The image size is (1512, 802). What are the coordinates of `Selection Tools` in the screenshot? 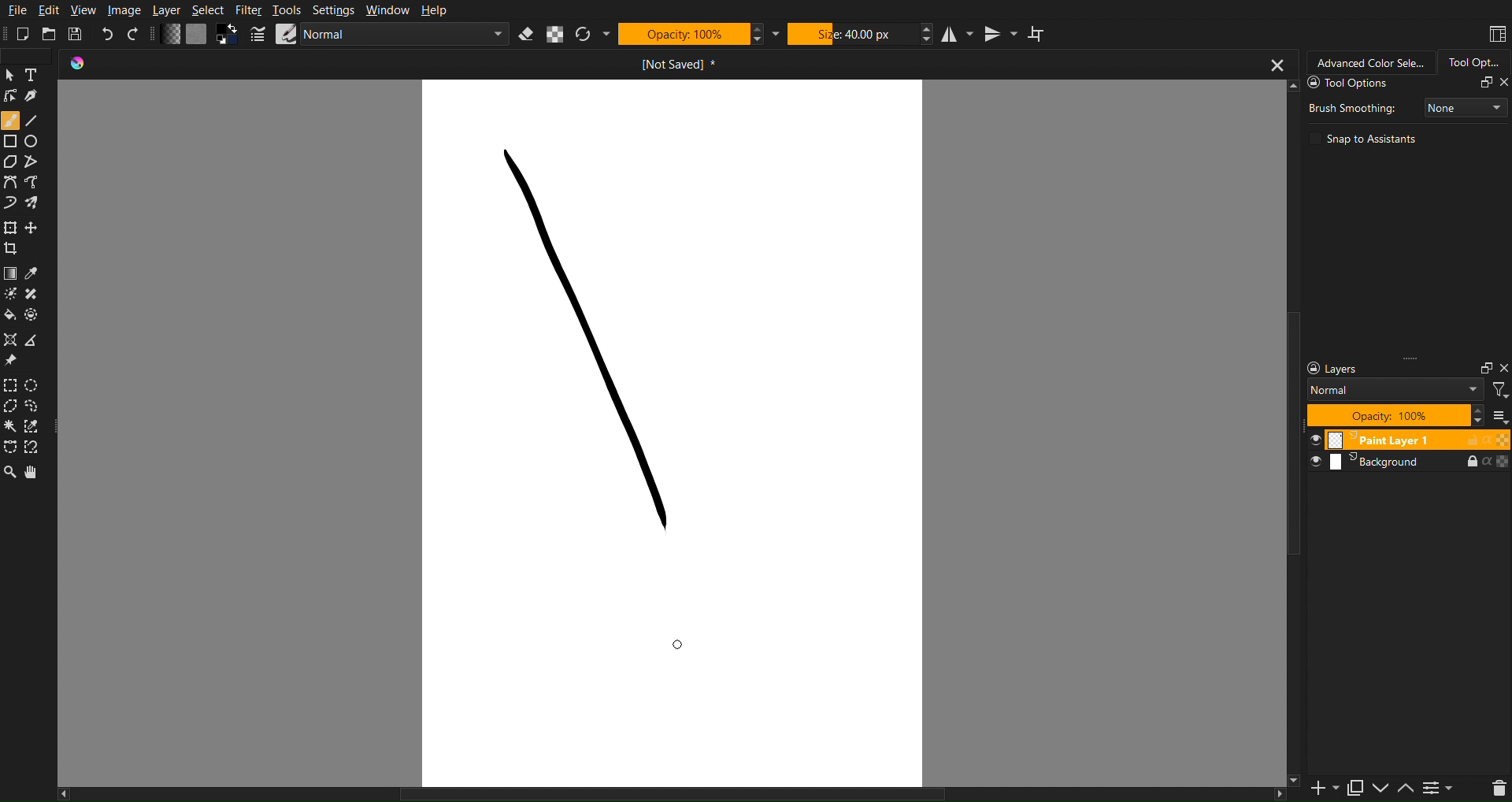 It's located at (10, 449).